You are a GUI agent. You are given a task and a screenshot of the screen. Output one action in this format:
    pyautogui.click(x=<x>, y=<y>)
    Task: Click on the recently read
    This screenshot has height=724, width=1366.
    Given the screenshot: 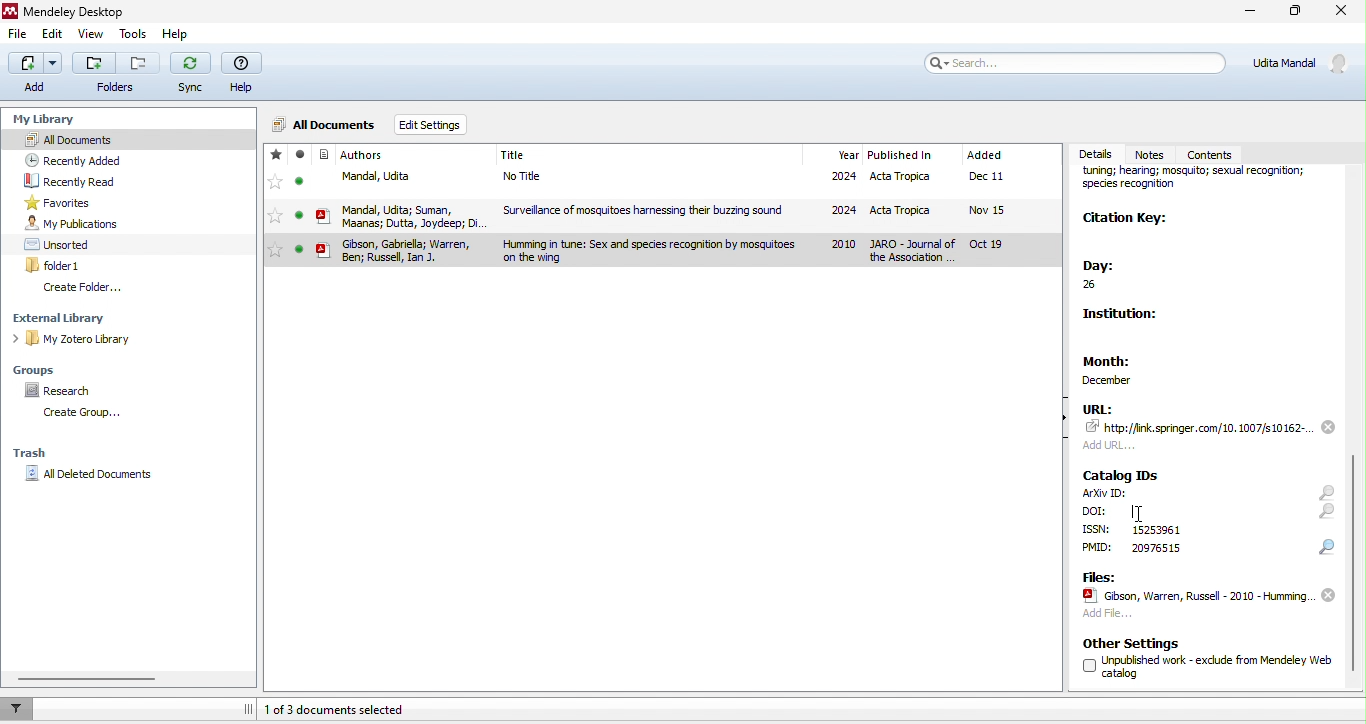 What is the action you would take?
    pyautogui.click(x=73, y=181)
    